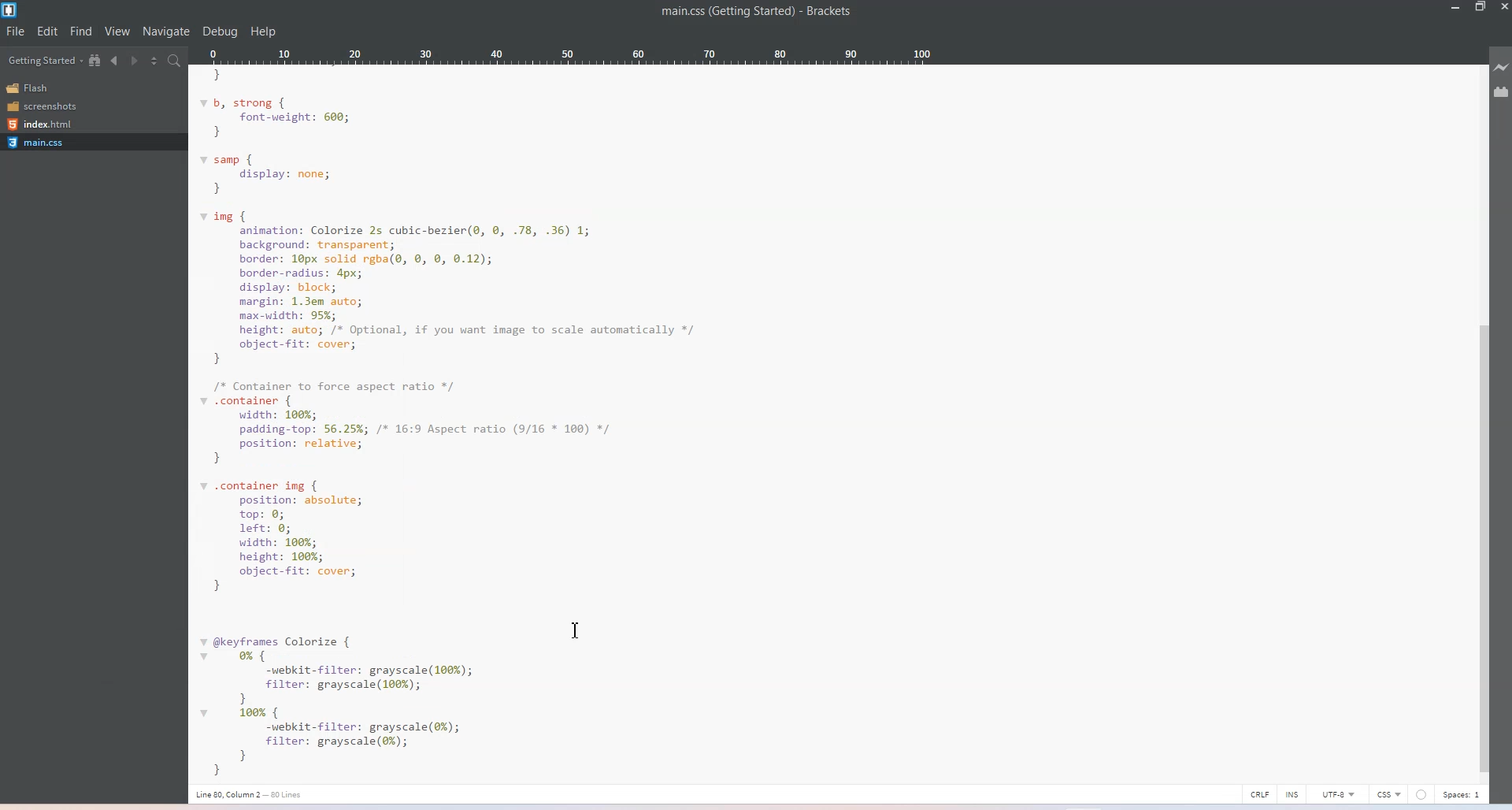  Describe the element at coordinates (1340, 794) in the screenshot. I see `UTF-8` at that location.